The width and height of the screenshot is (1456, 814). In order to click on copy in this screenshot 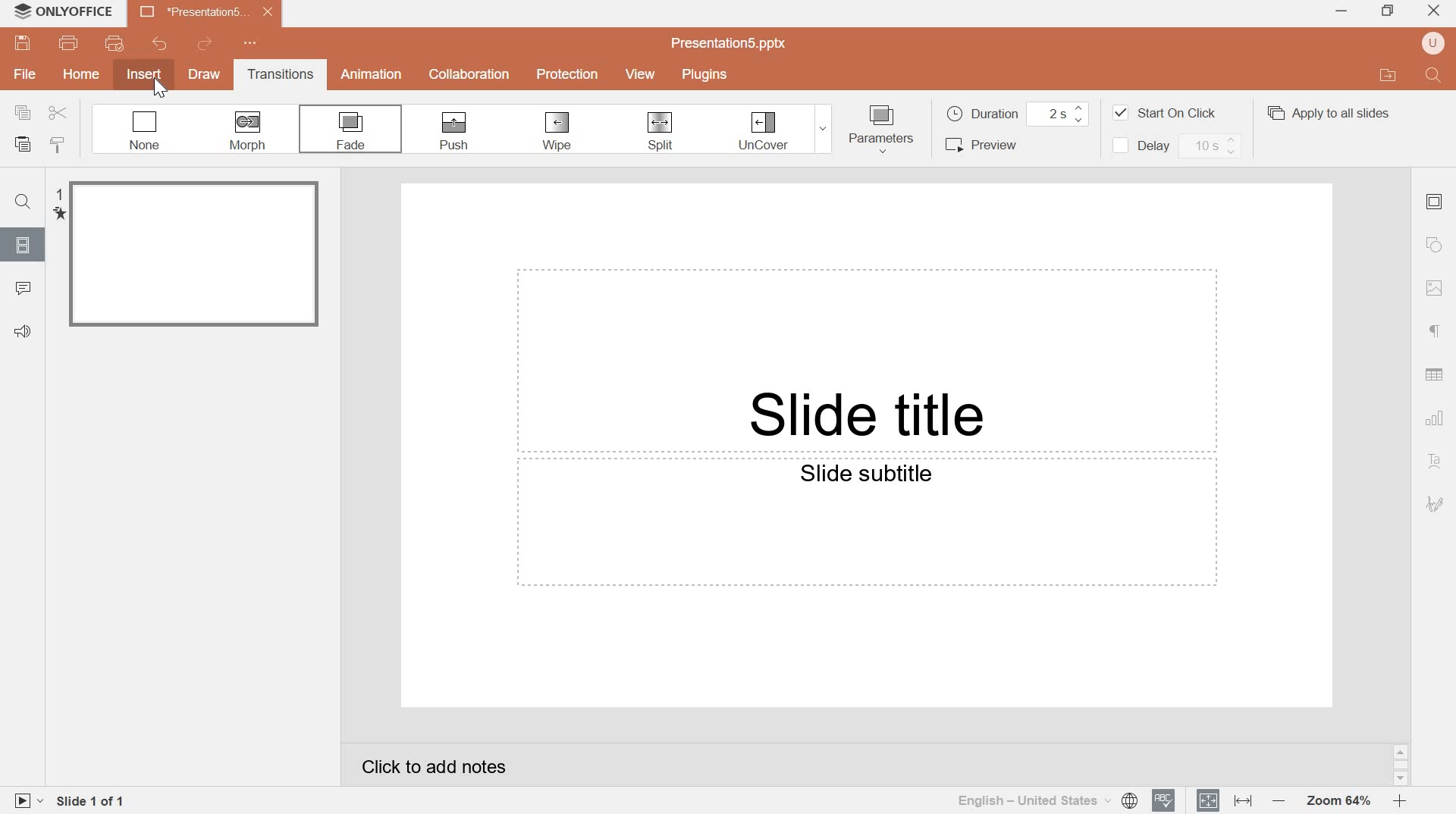, I will do `click(24, 112)`.